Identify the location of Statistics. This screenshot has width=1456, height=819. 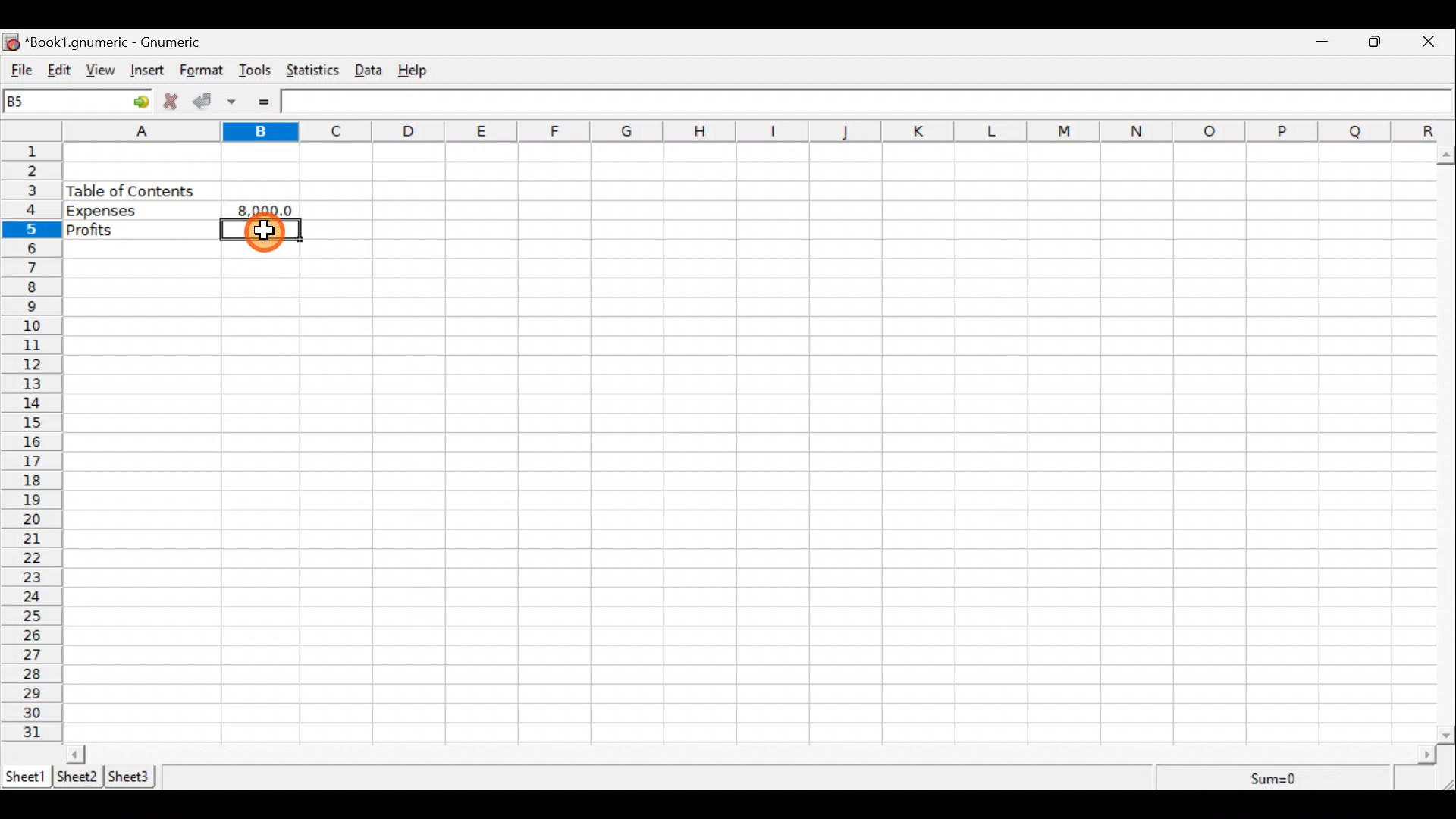
(315, 72).